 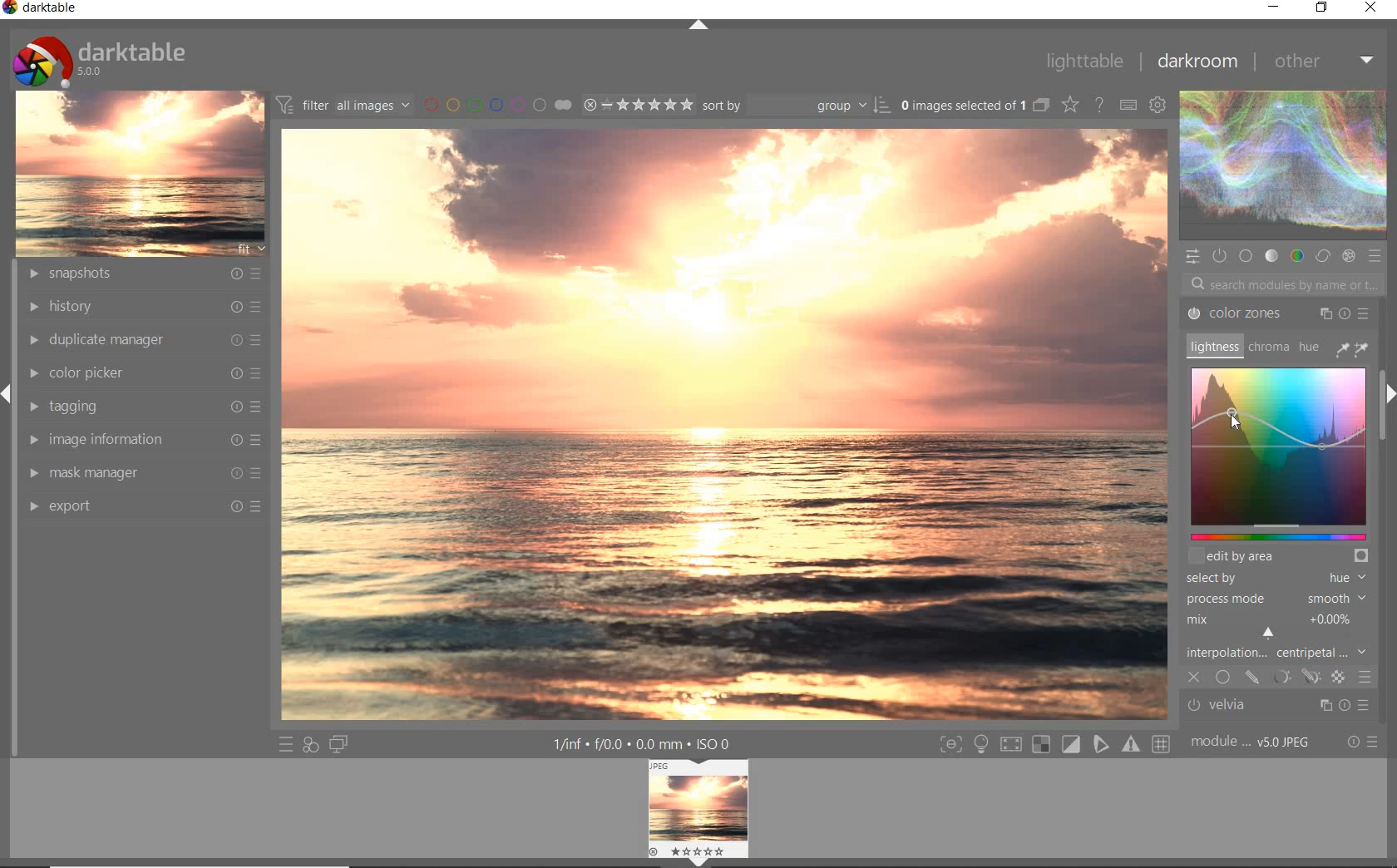 I want to click on BASE, so click(x=1247, y=256).